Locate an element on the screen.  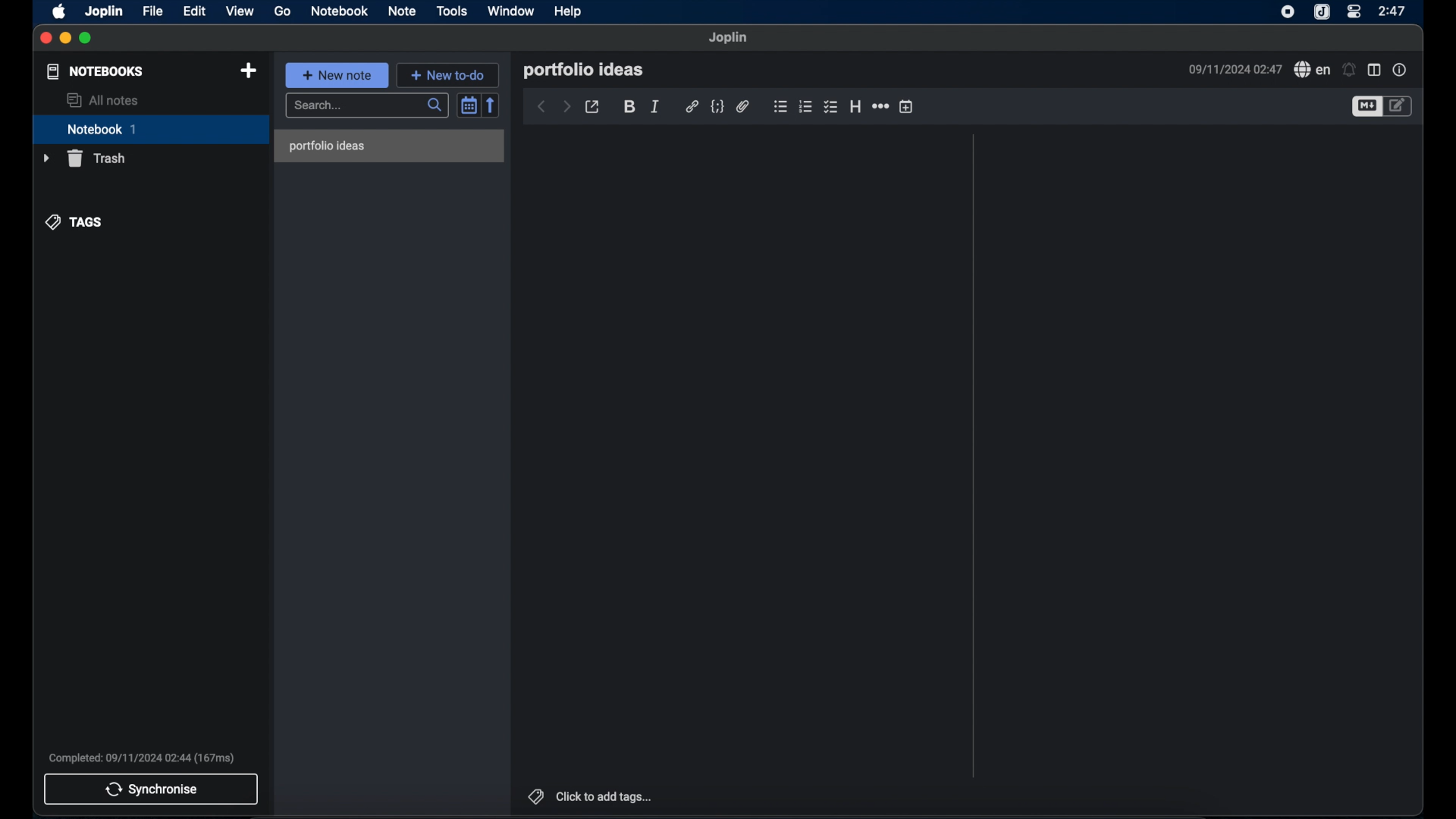
view is located at coordinates (241, 11).